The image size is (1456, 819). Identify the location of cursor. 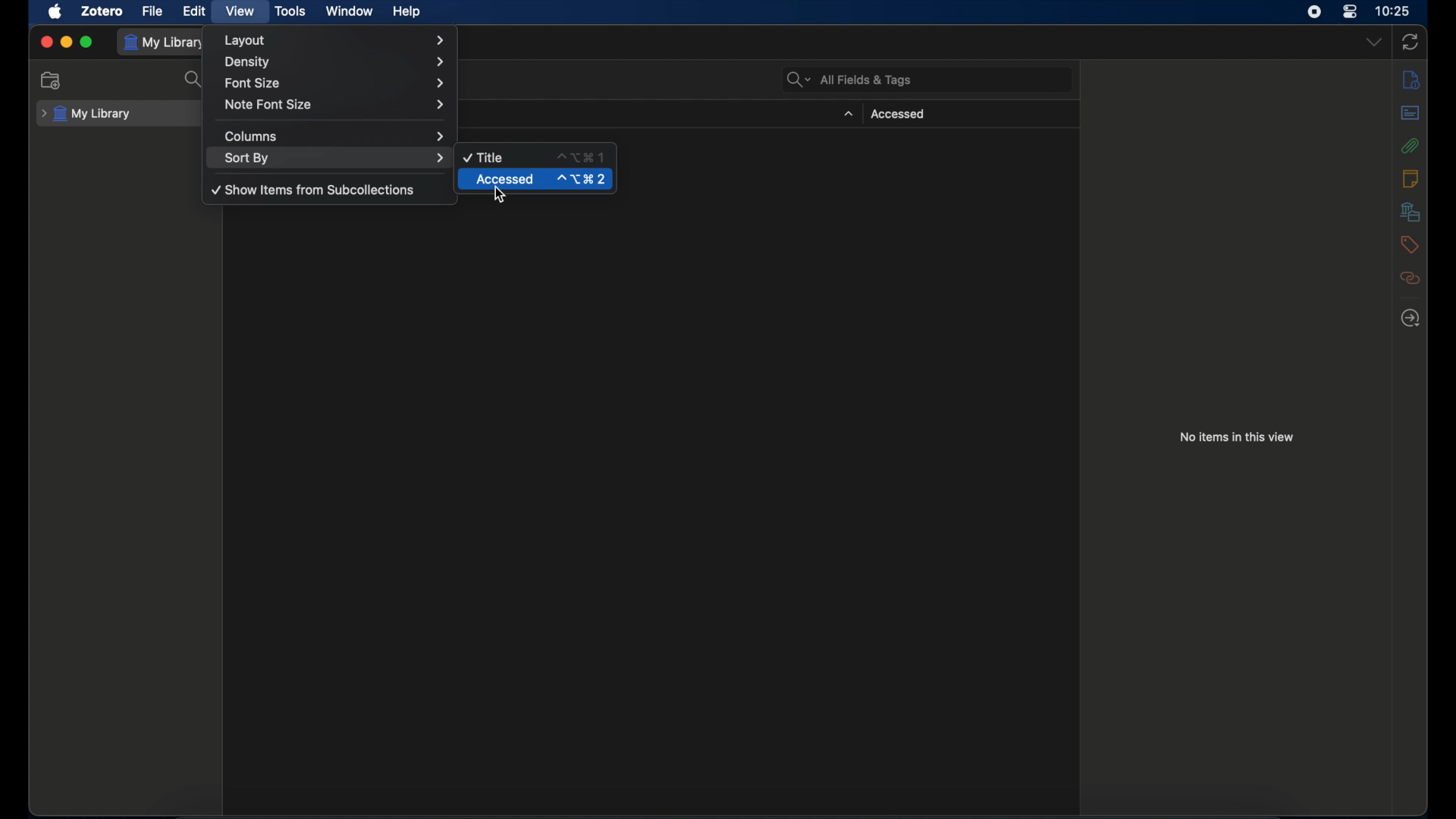
(501, 195).